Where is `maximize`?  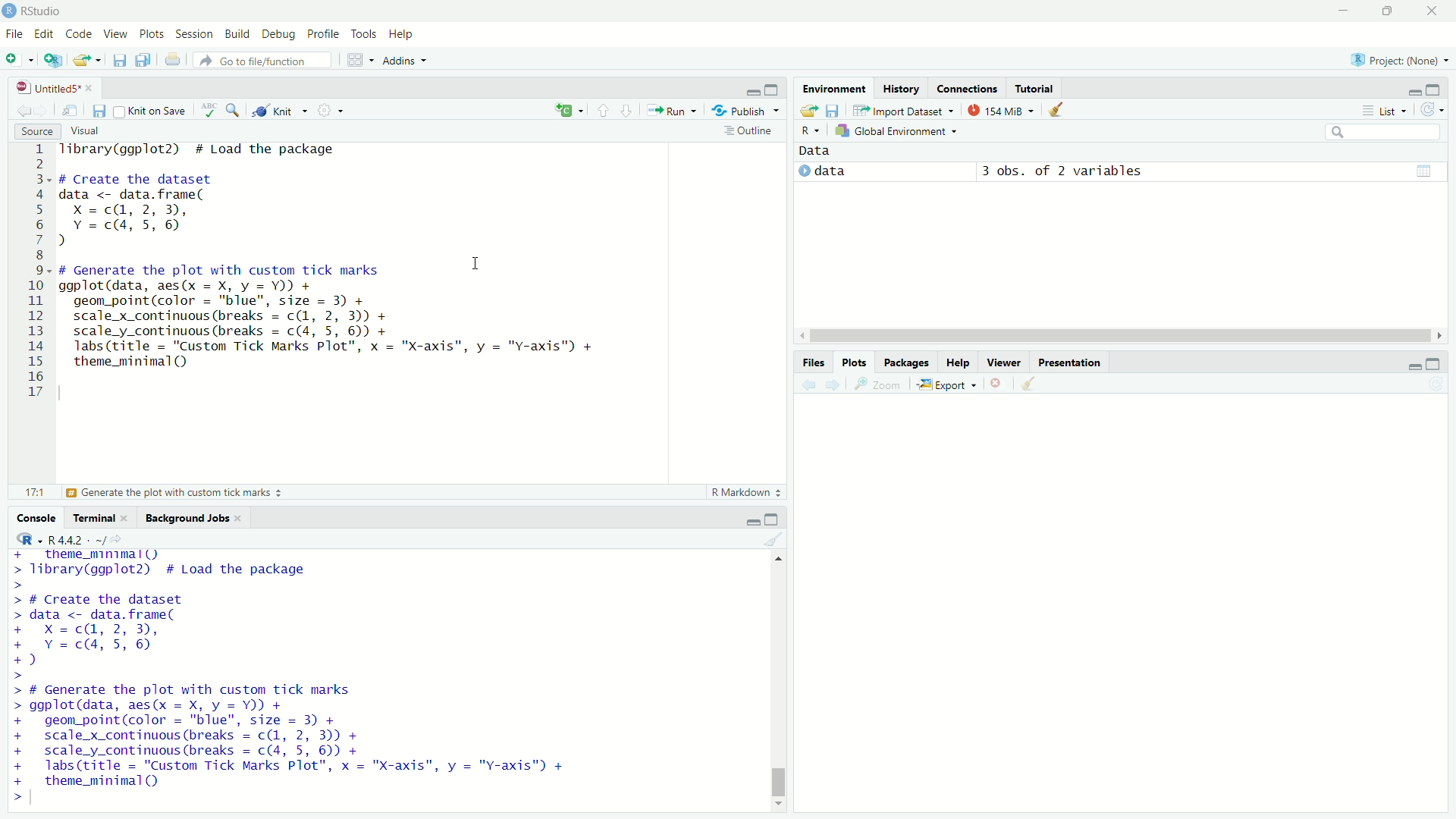
maximize is located at coordinates (1442, 364).